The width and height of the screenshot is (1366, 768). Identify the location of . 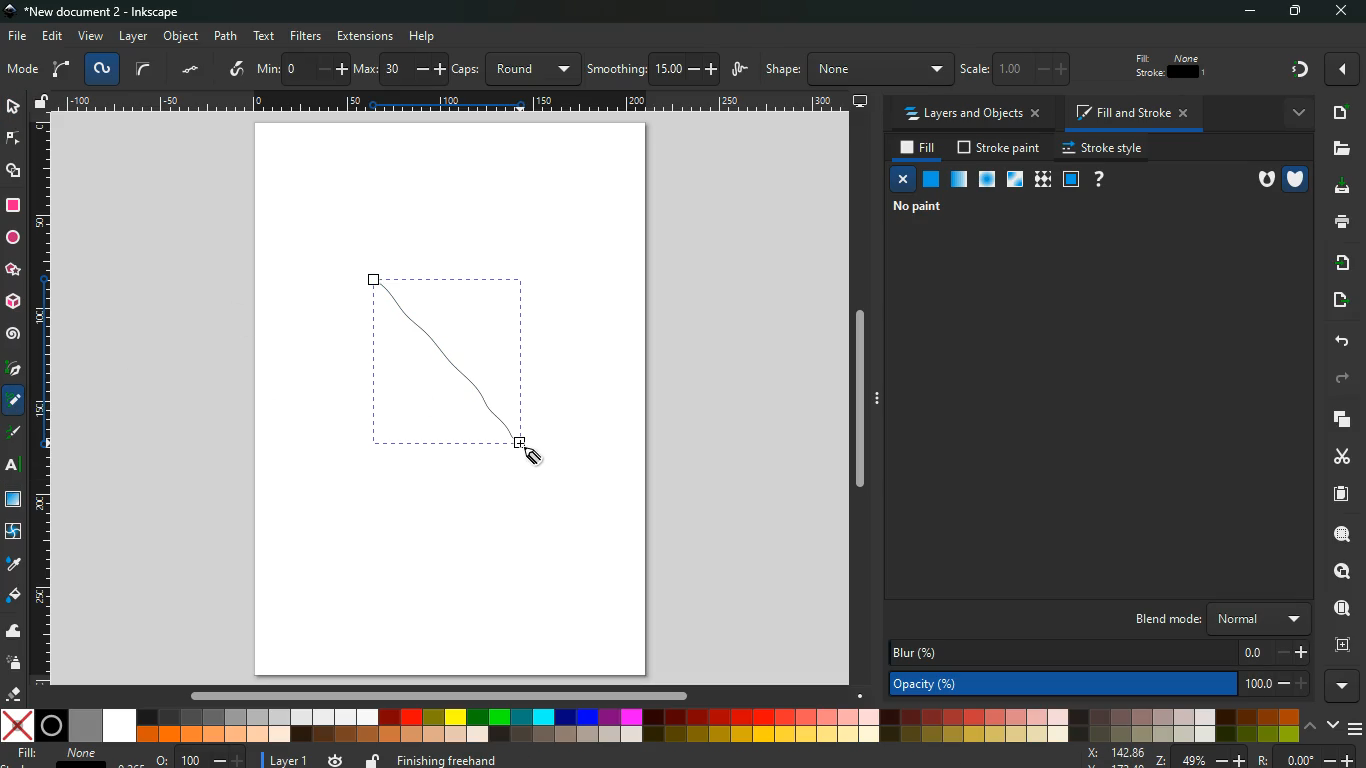
(453, 101).